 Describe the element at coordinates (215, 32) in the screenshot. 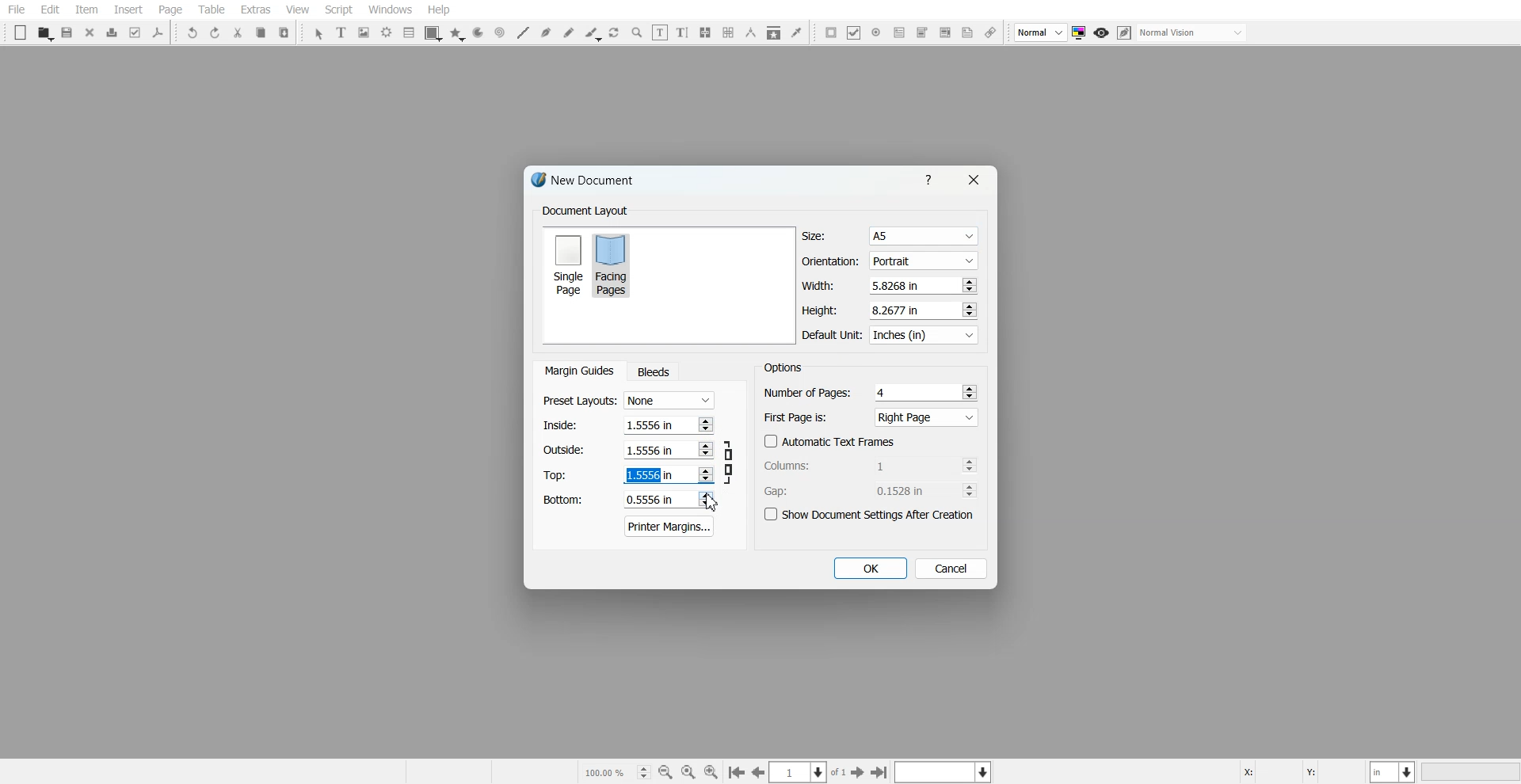

I see `Redo` at that location.